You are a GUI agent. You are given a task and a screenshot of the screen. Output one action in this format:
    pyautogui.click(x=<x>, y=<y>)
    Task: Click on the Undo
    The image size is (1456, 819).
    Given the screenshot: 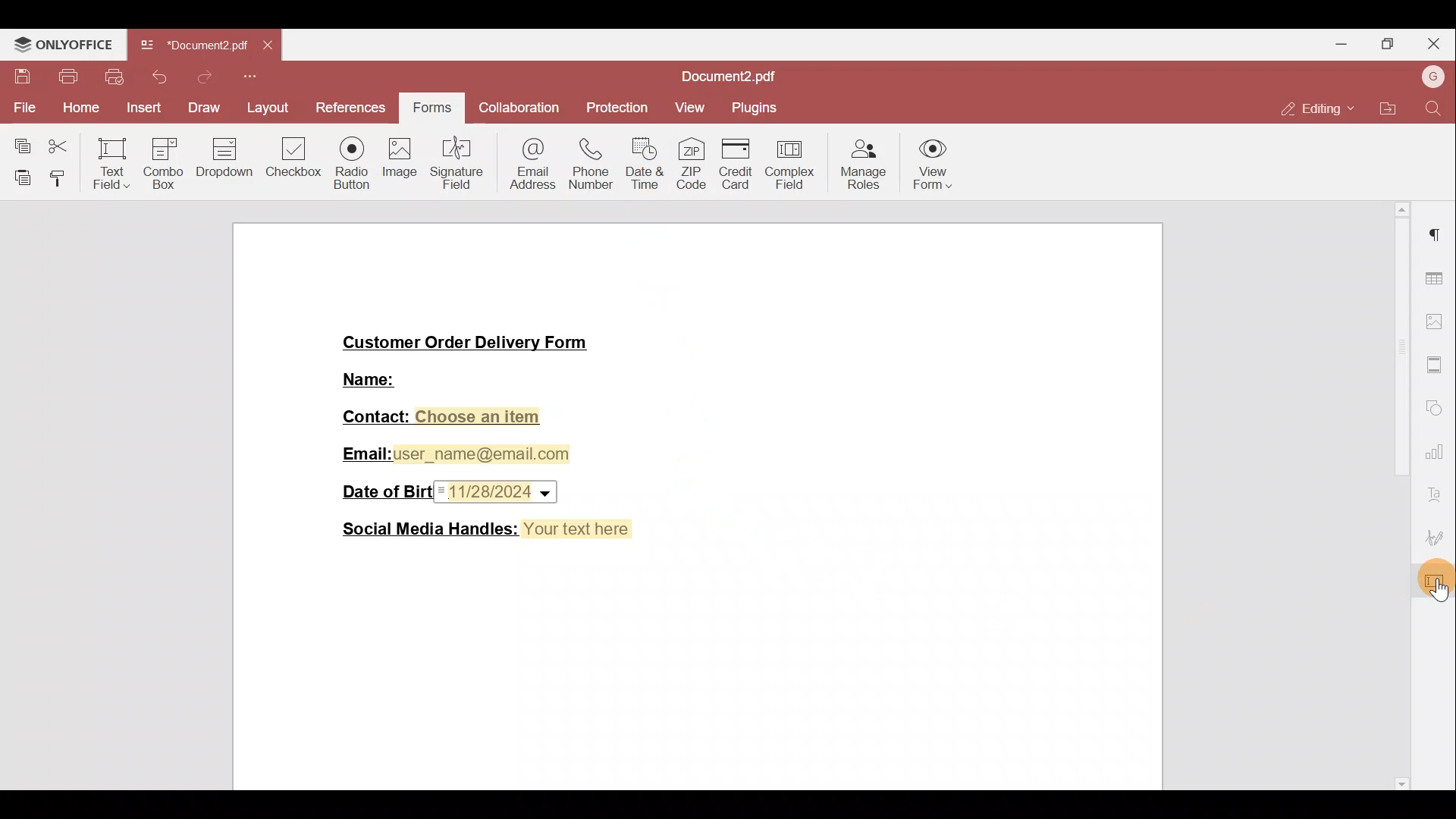 What is the action you would take?
    pyautogui.click(x=157, y=77)
    